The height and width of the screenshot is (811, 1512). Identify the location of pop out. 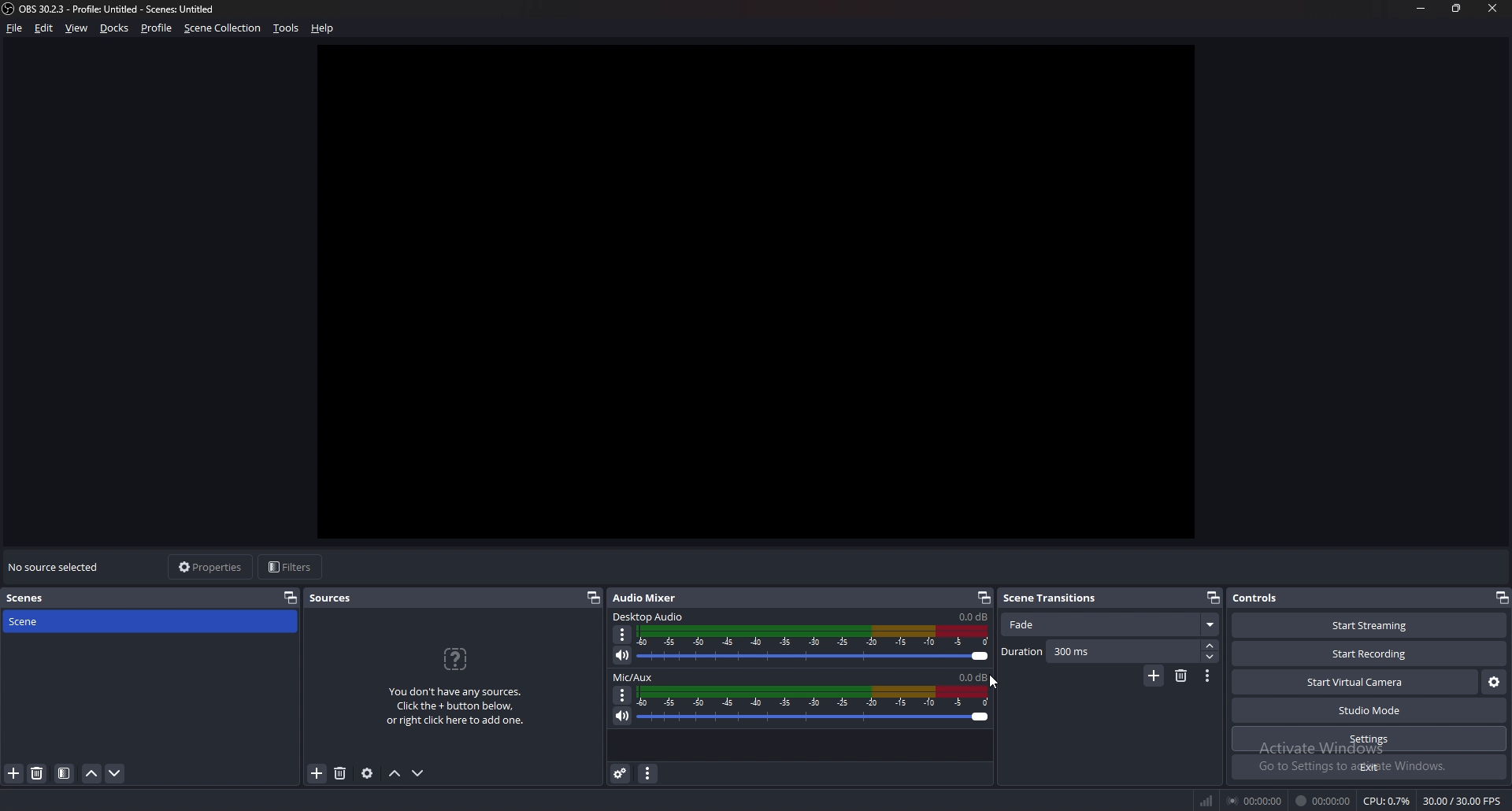
(982, 598).